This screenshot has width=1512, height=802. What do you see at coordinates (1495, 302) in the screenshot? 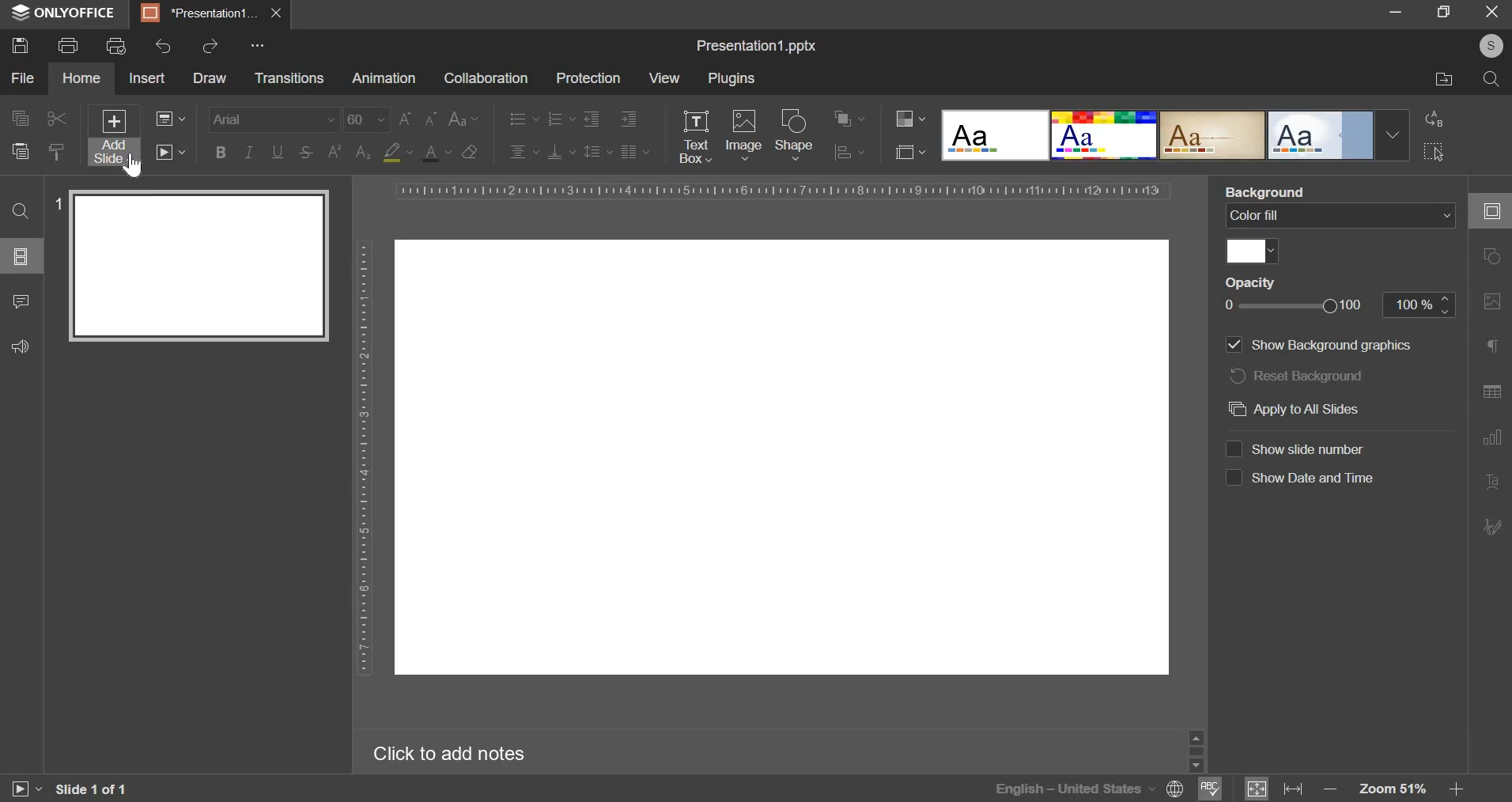
I see `image settings` at bounding box center [1495, 302].